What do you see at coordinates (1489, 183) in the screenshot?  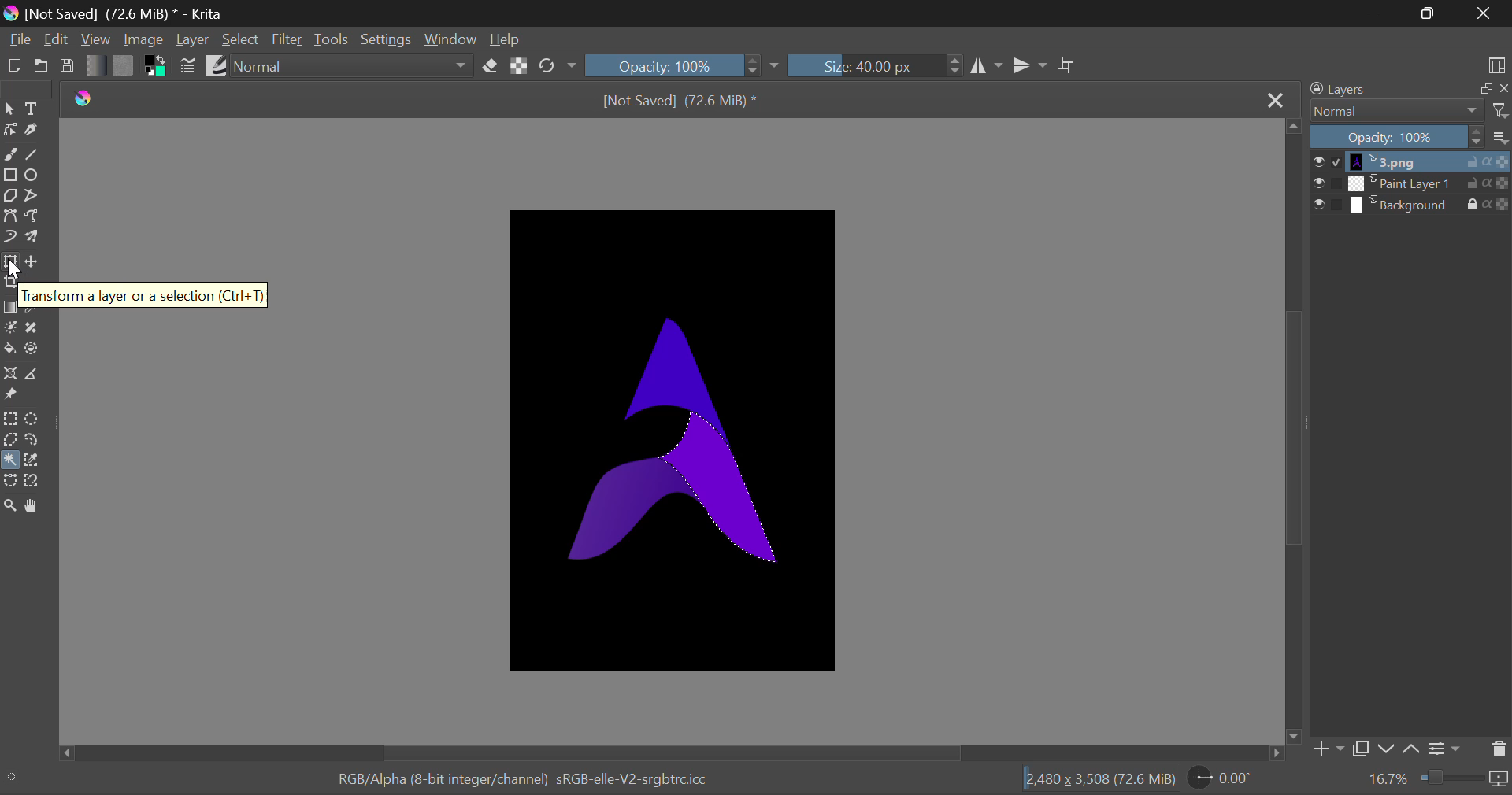 I see `actions` at bounding box center [1489, 183].